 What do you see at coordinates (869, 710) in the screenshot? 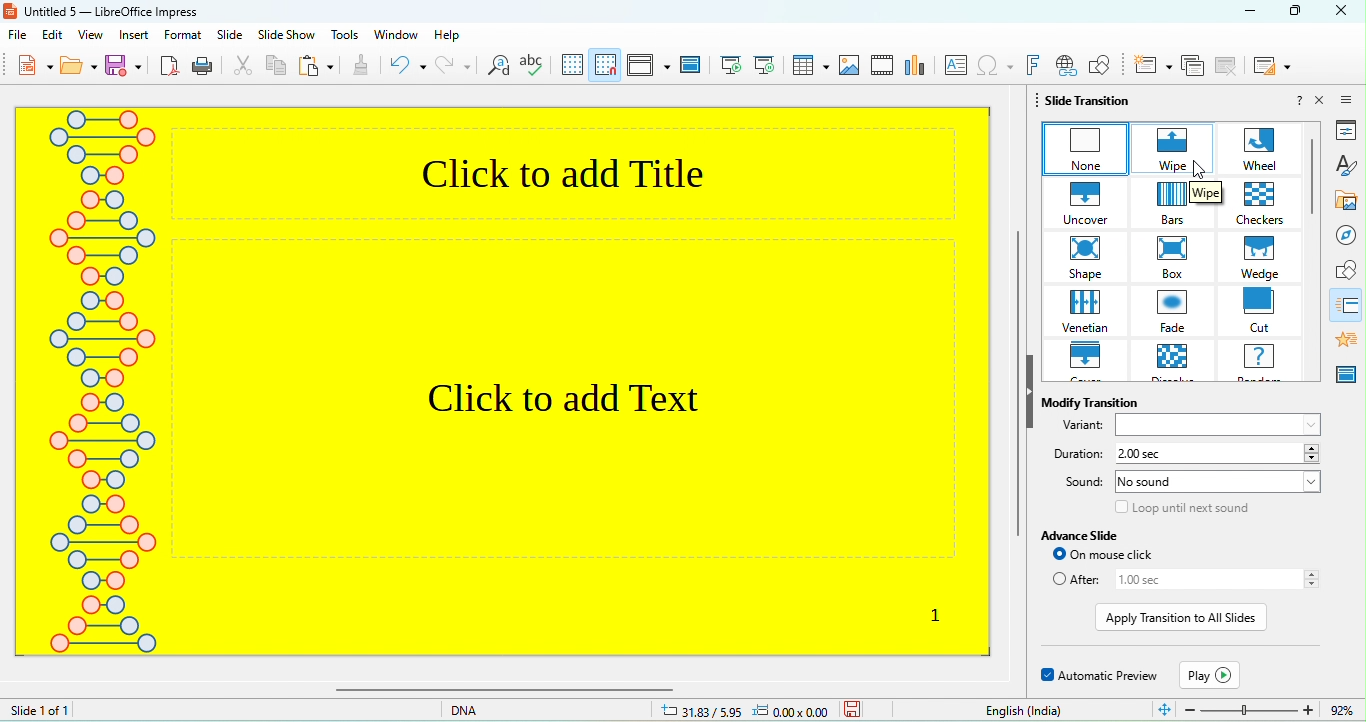
I see `the document has not been modified since the last save` at bounding box center [869, 710].